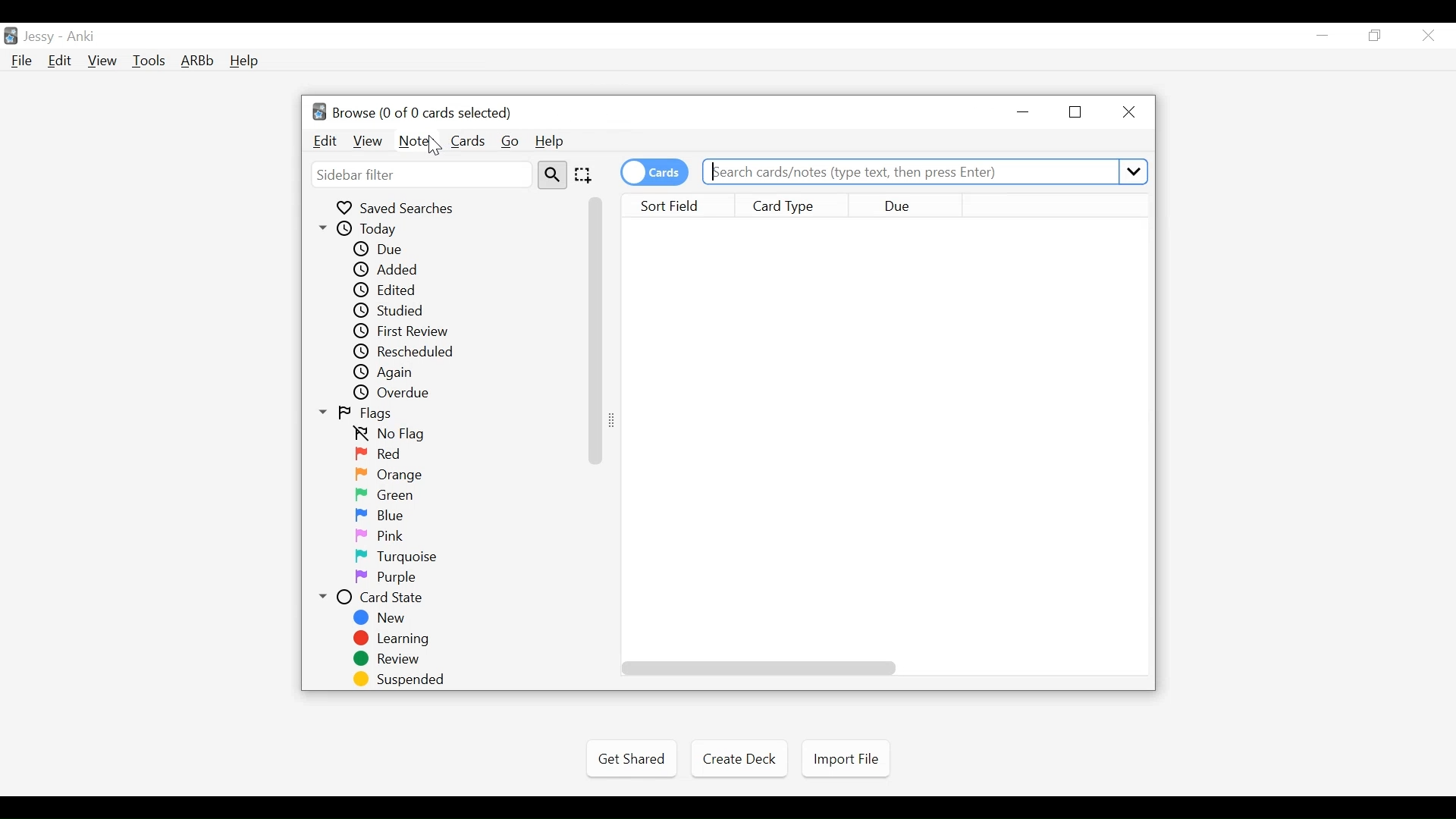 This screenshot has height=819, width=1456. Describe the element at coordinates (416, 143) in the screenshot. I see `Note` at that location.